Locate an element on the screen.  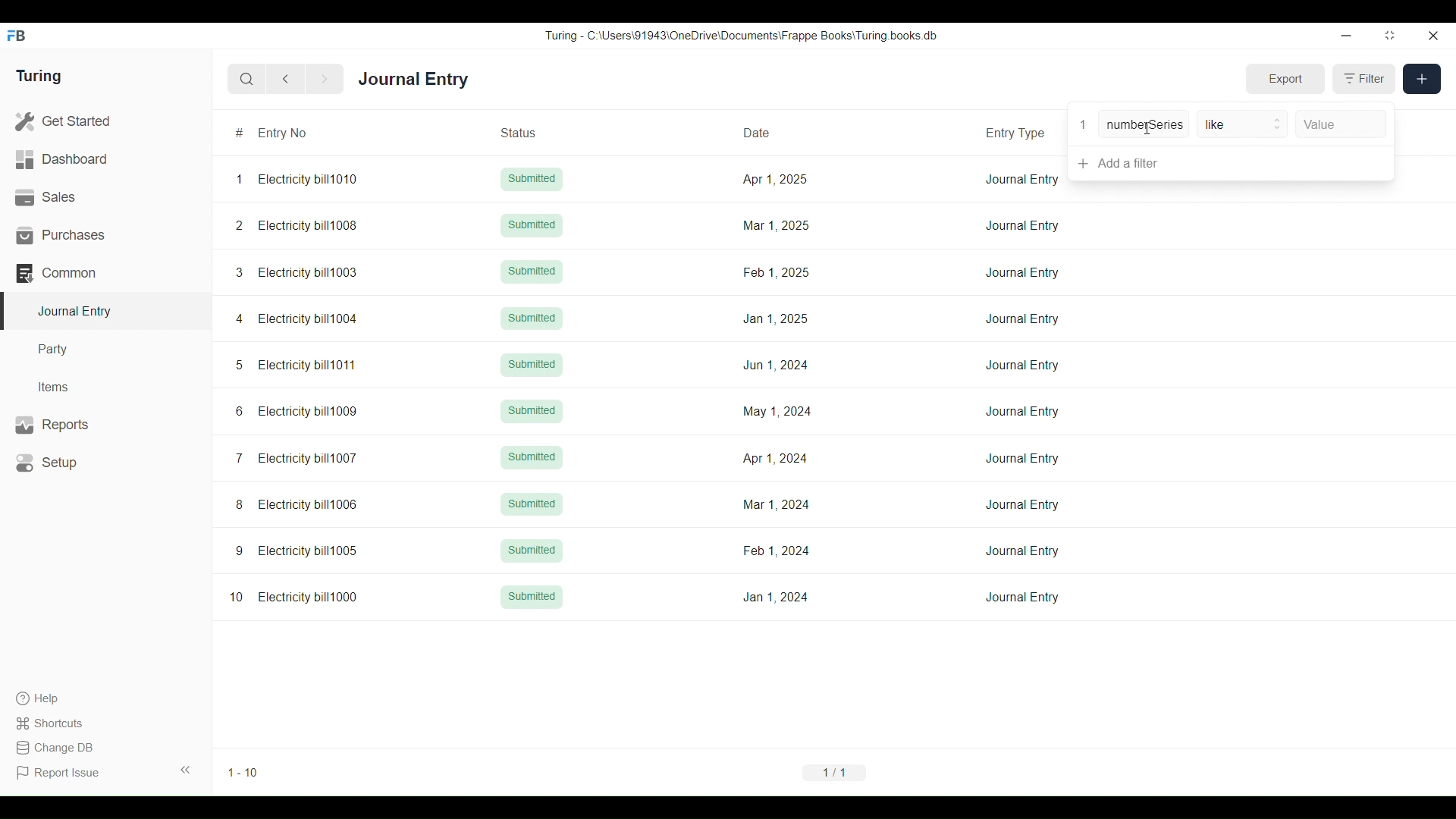
Submitted is located at coordinates (531, 318).